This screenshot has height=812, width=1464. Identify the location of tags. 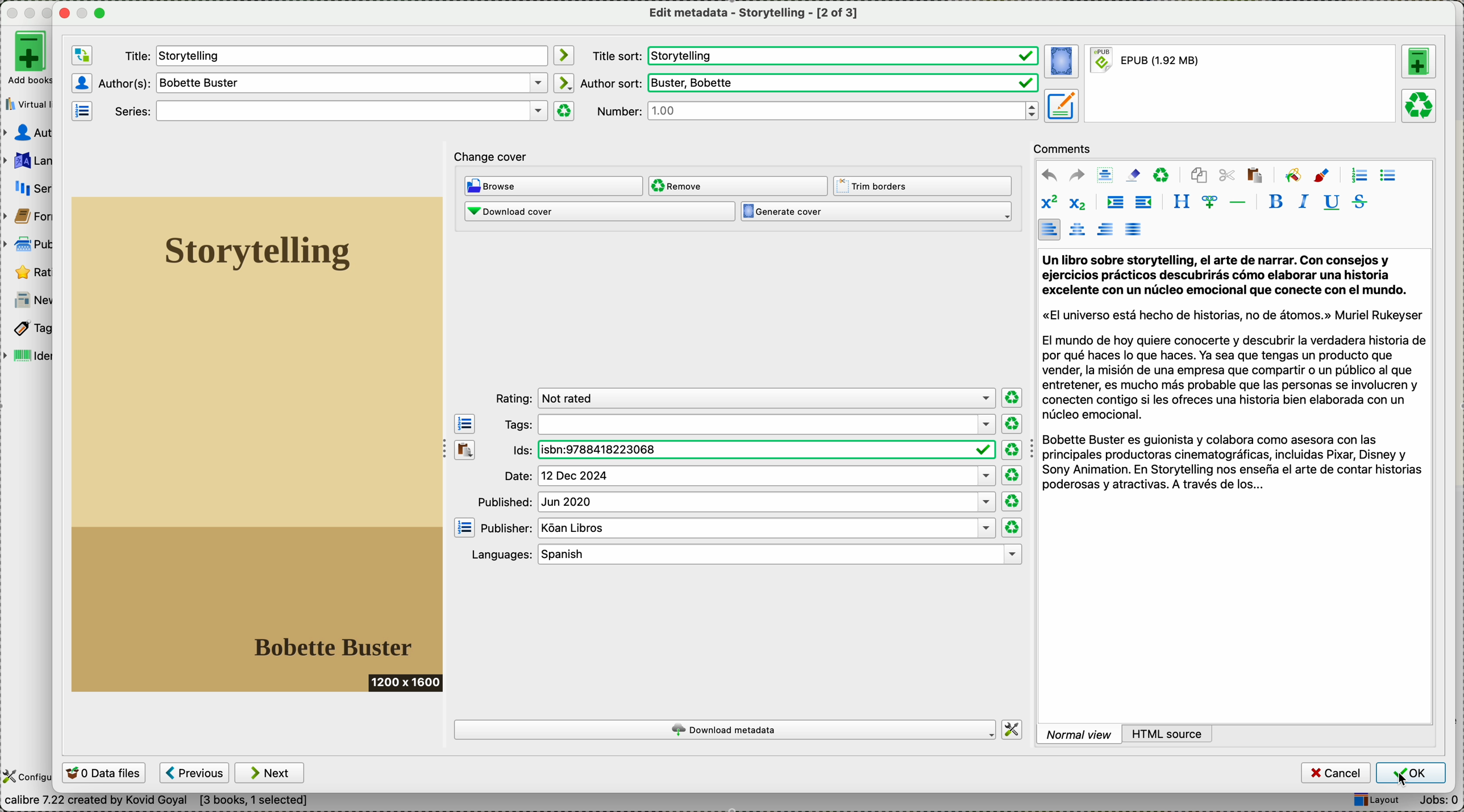
(32, 328).